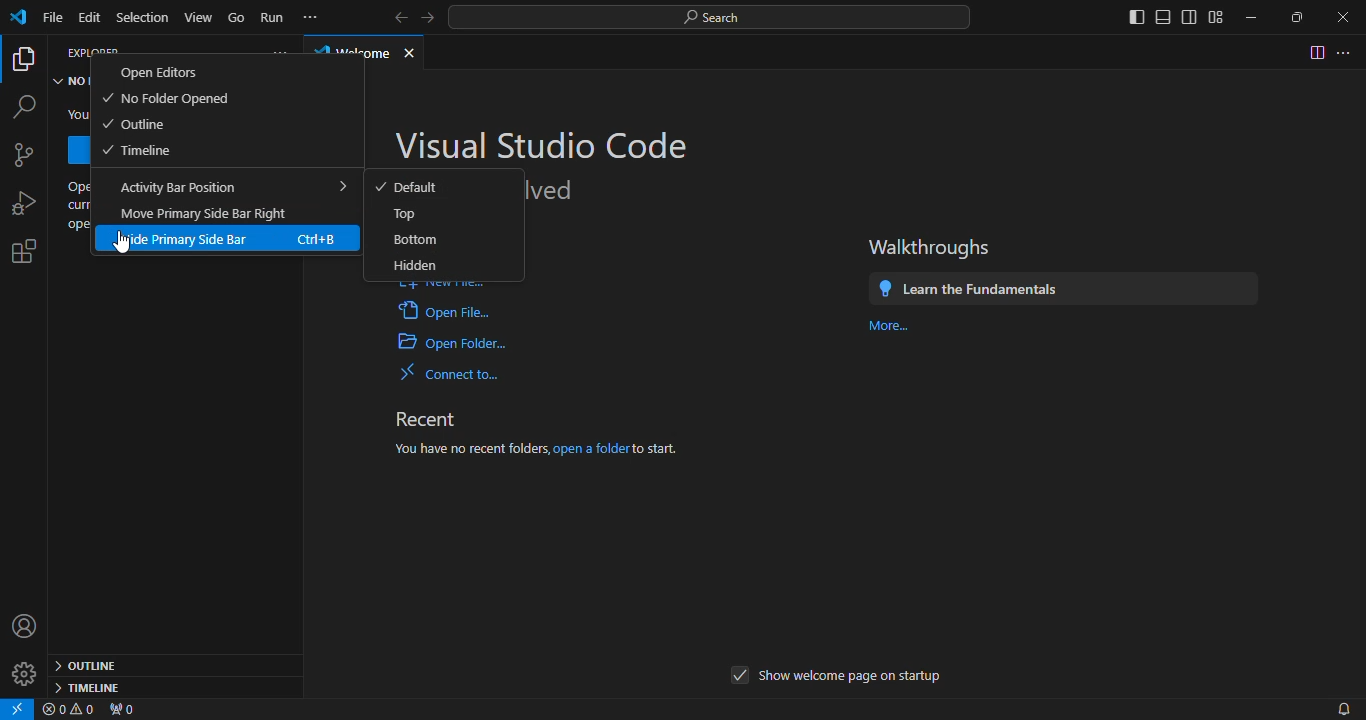 This screenshot has width=1366, height=720. I want to click on minimize, so click(1244, 13).